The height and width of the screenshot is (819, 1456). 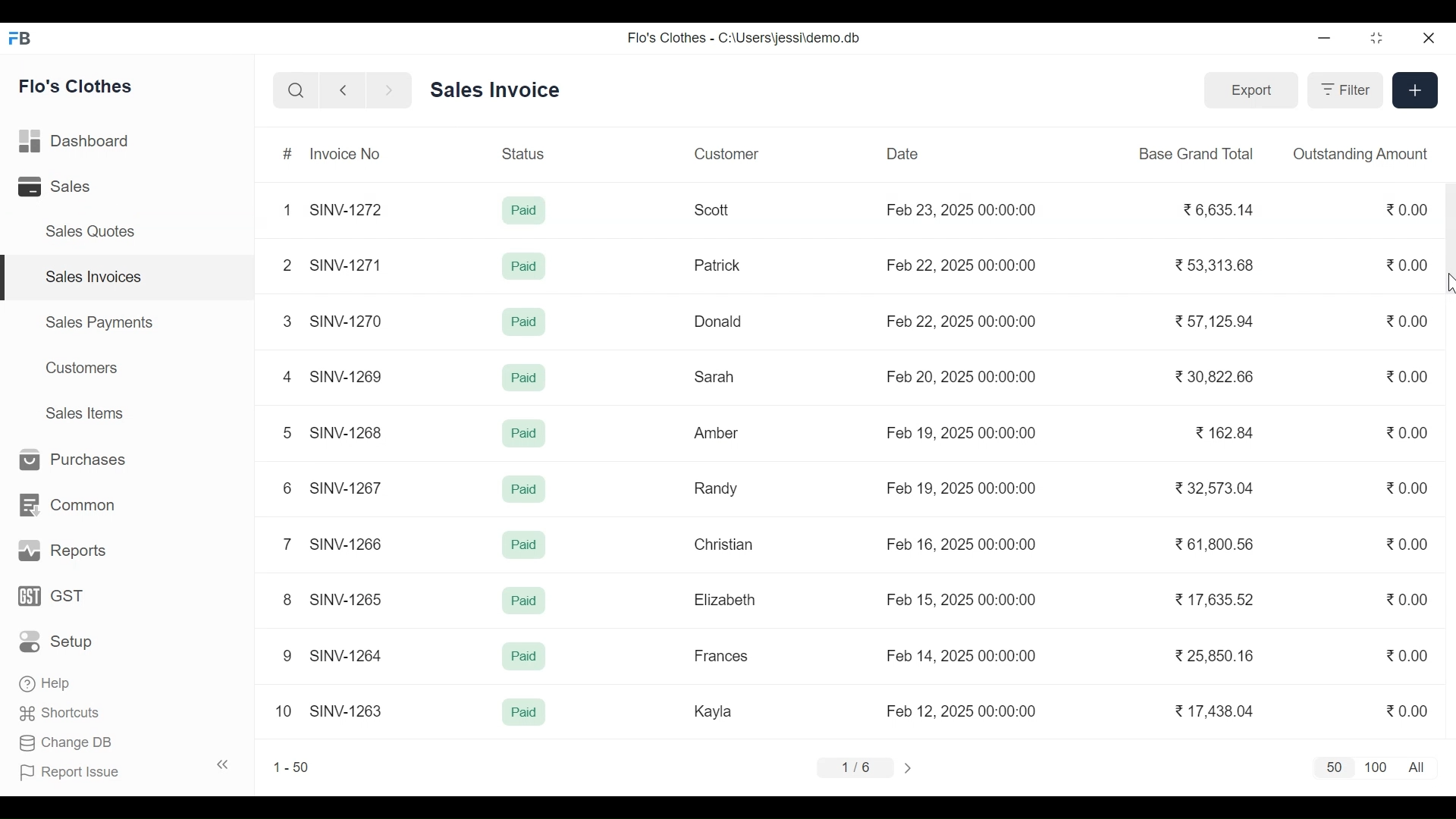 What do you see at coordinates (526, 152) in the screenshot?
I see `Status` at bounding box center [526, 152].